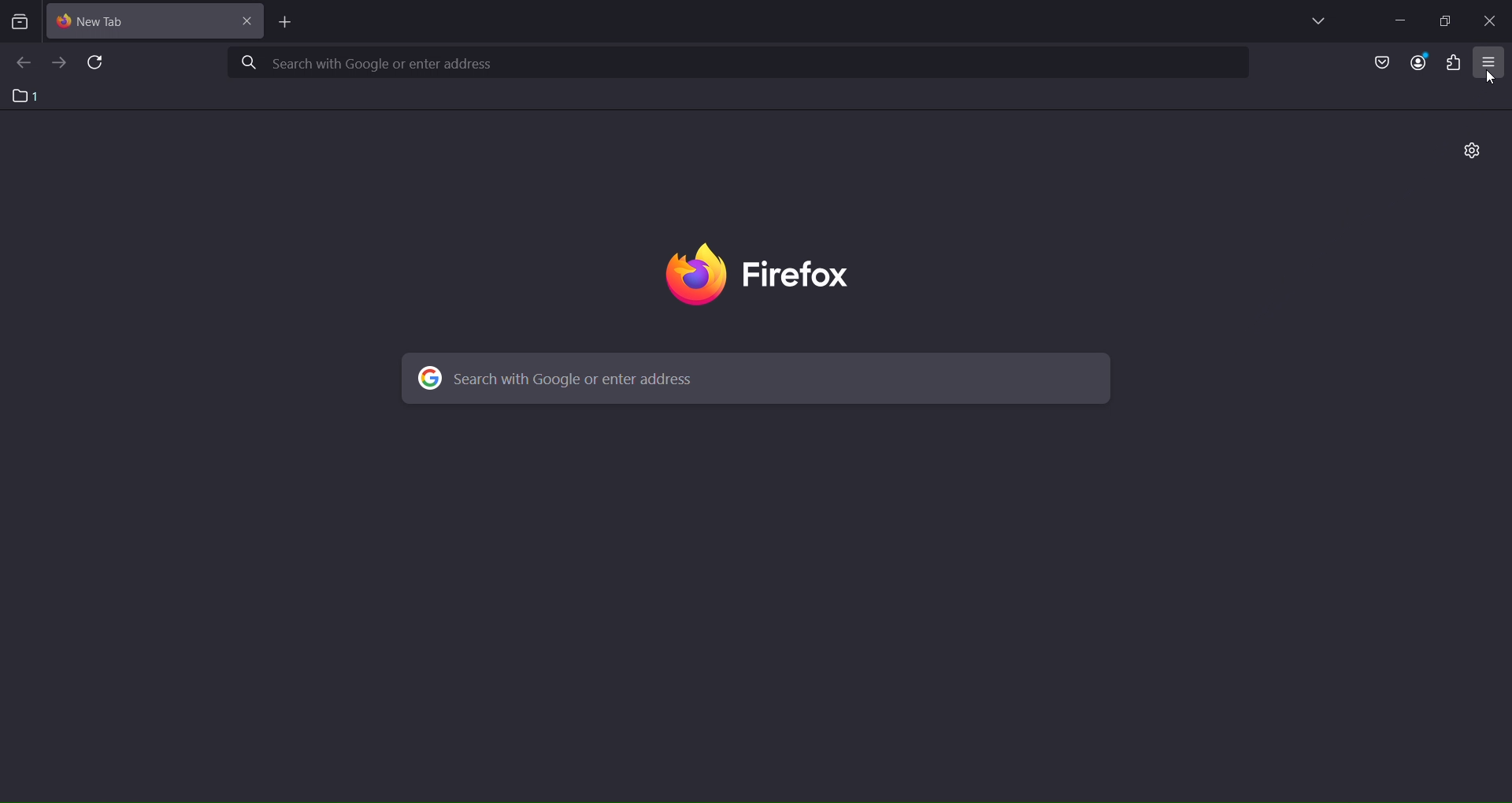  I want to click on restore down, so click(1443, 22).